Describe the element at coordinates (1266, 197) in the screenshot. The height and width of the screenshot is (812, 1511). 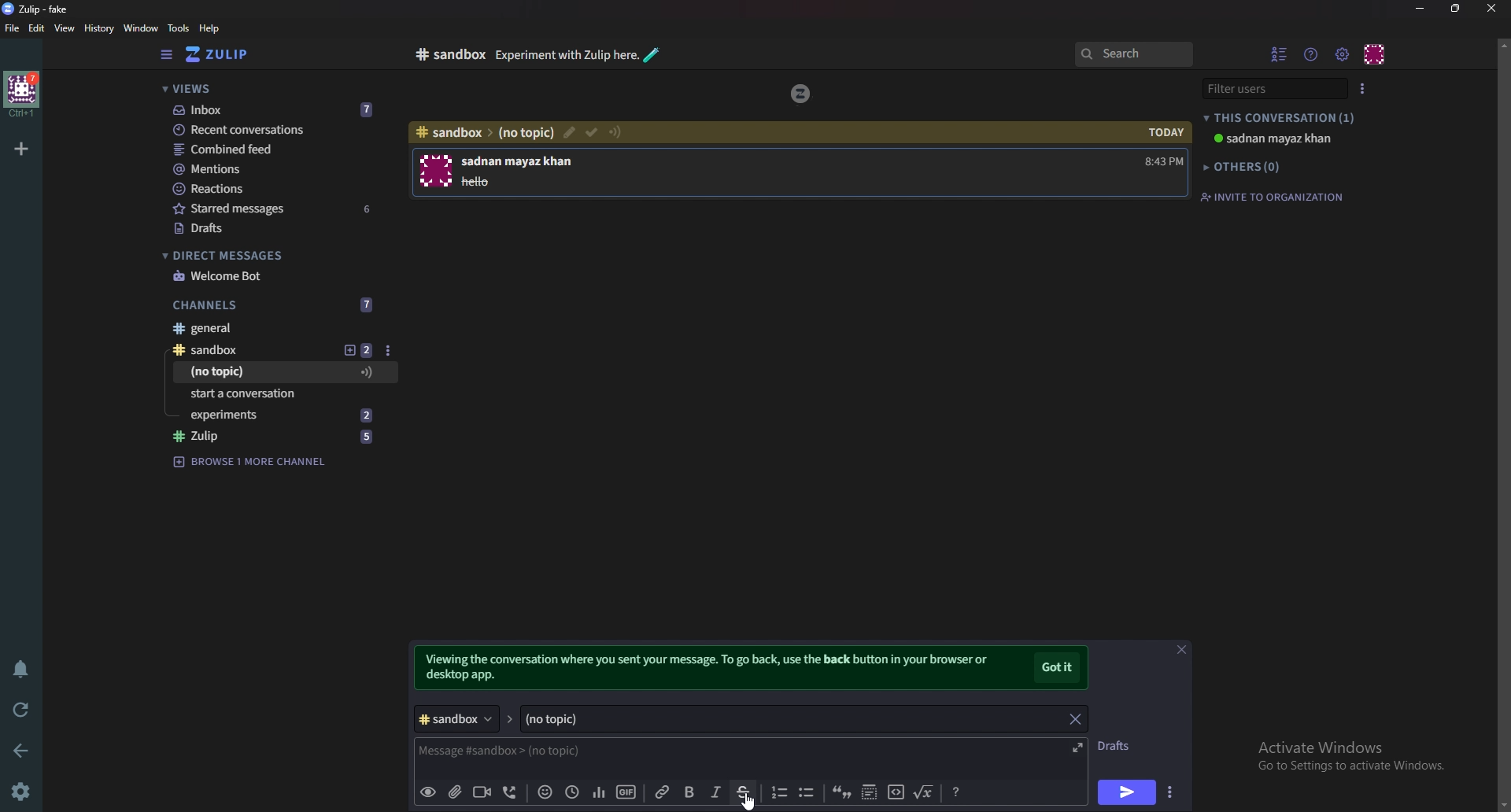
I see `invite to organization` at that location.